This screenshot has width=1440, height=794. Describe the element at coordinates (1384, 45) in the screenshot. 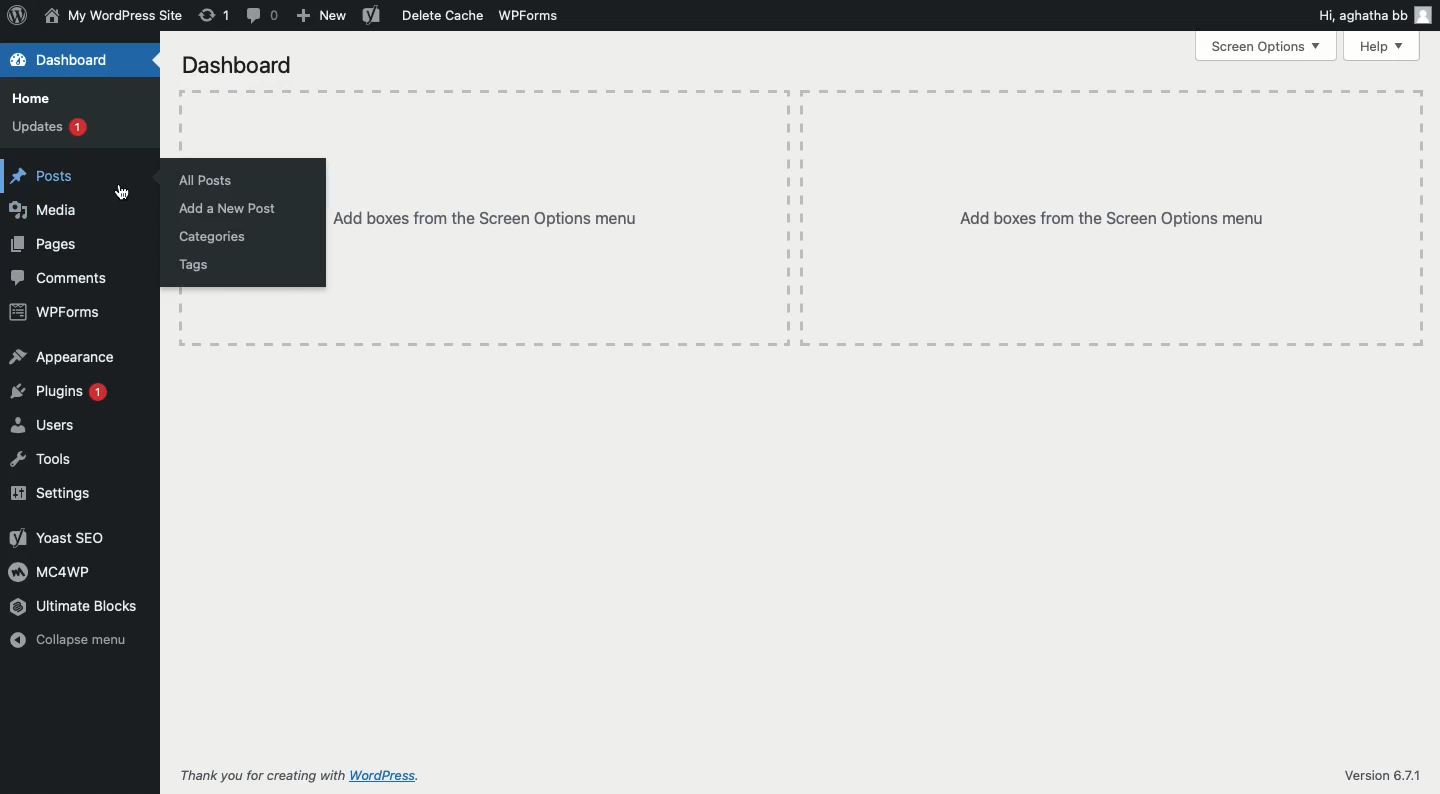

I see `Help` at that location.